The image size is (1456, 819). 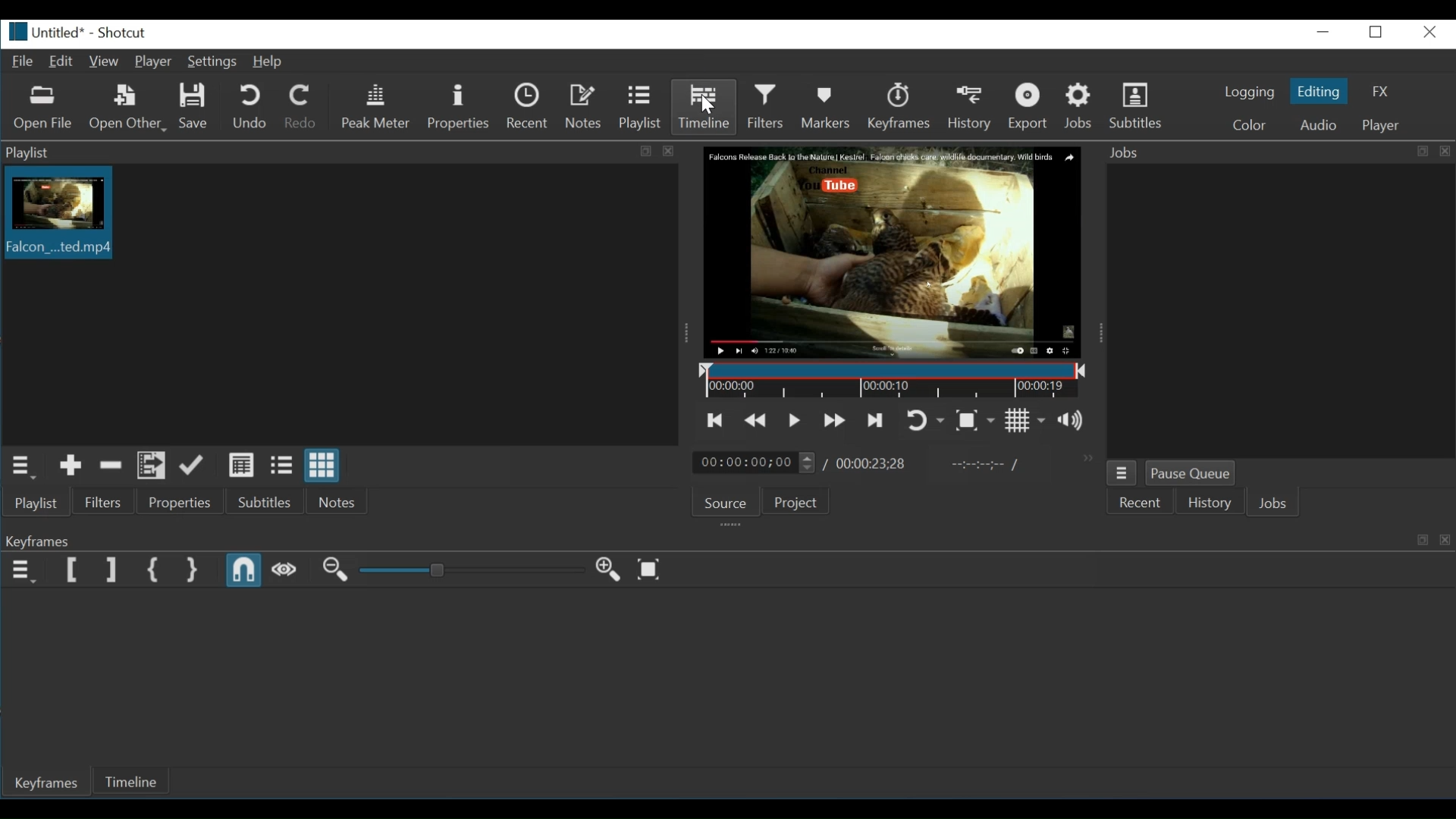 I want to click on Cursor, so click(x=708, y=108).